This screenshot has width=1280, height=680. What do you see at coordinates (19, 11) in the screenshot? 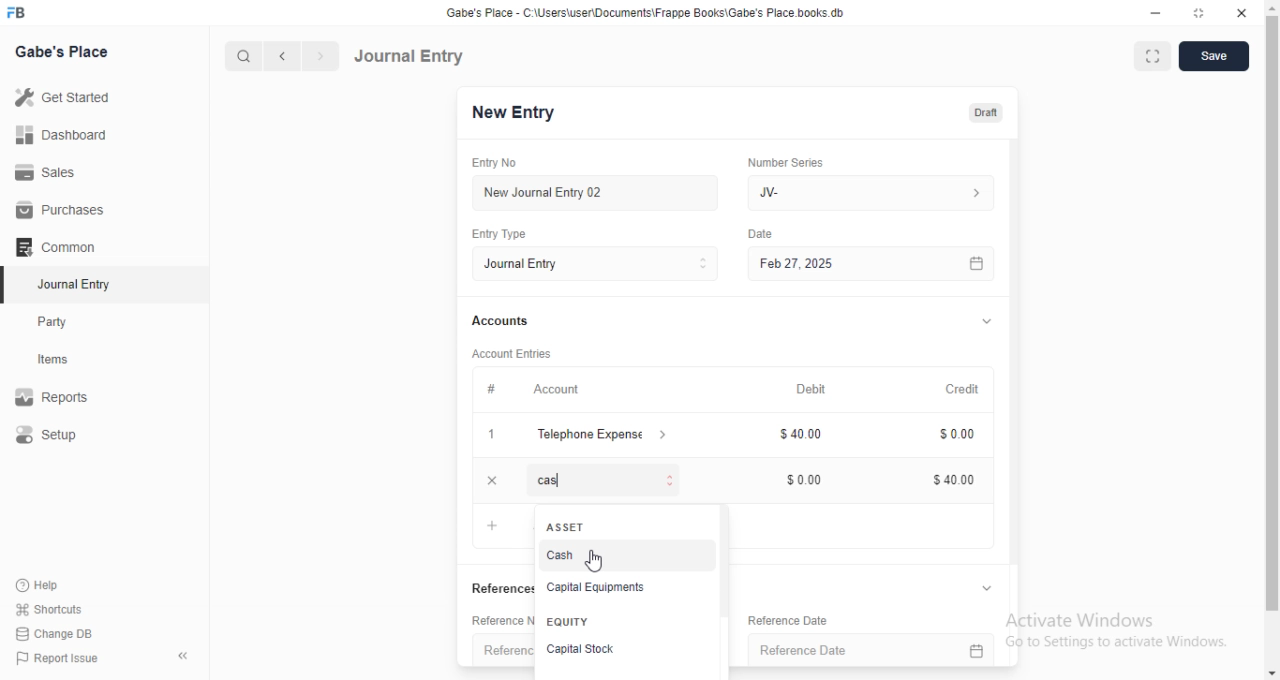
I see `FB` at bounding box center [19, 11].